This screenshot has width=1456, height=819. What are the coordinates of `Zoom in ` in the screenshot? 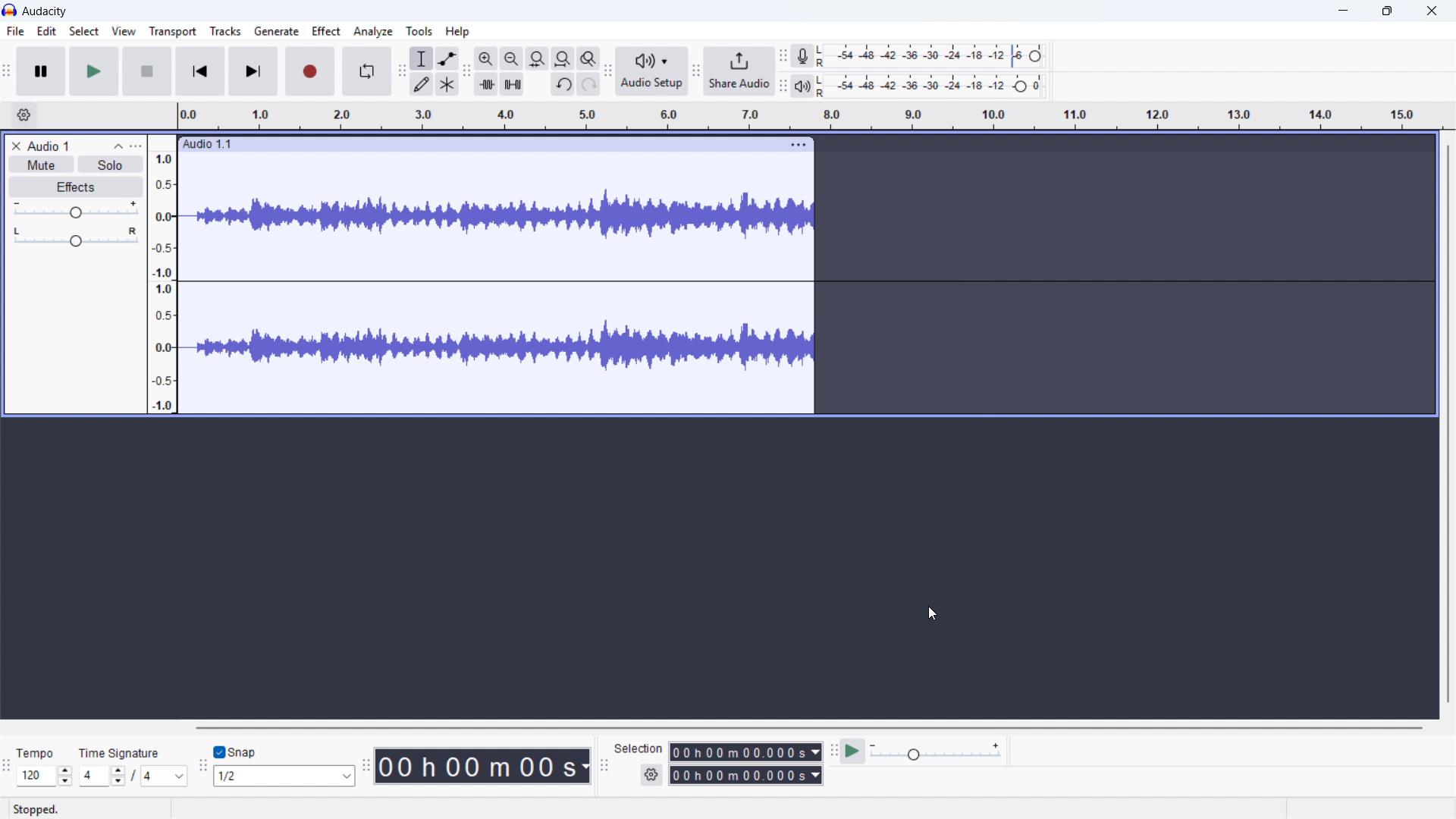 It's located at (486, 58).